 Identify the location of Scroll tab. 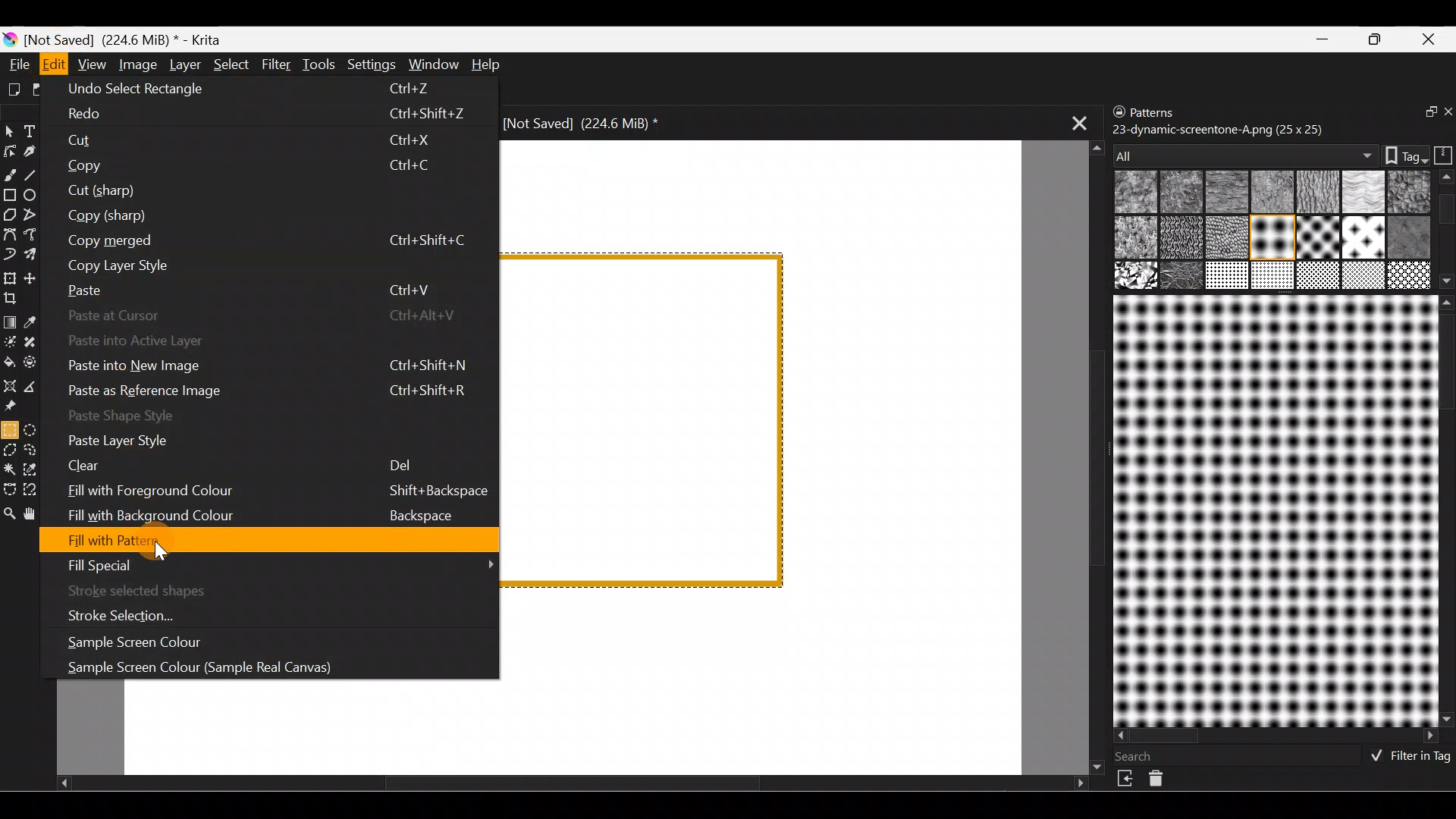
(1090, 455).